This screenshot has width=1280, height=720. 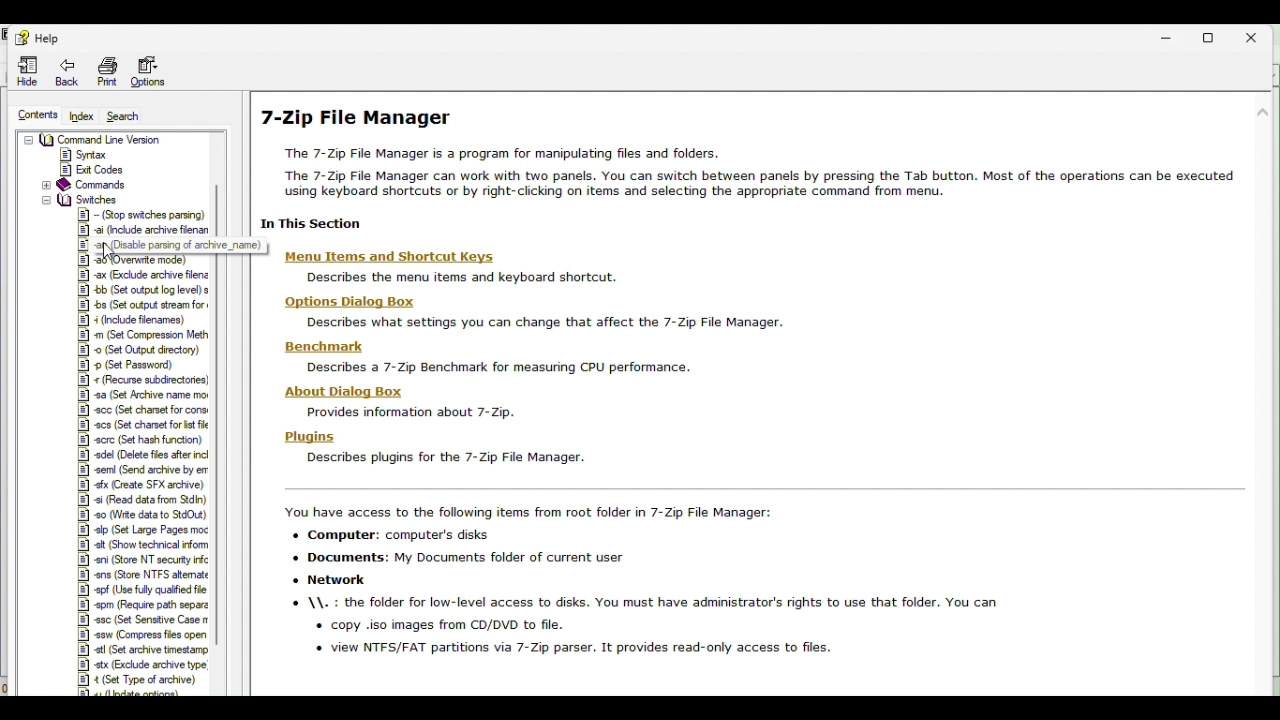 What do you see at coordinates (142, 589) in the screenshot?
I see `8] apf (Use fully qualified file` at bounding box center [142, 589].